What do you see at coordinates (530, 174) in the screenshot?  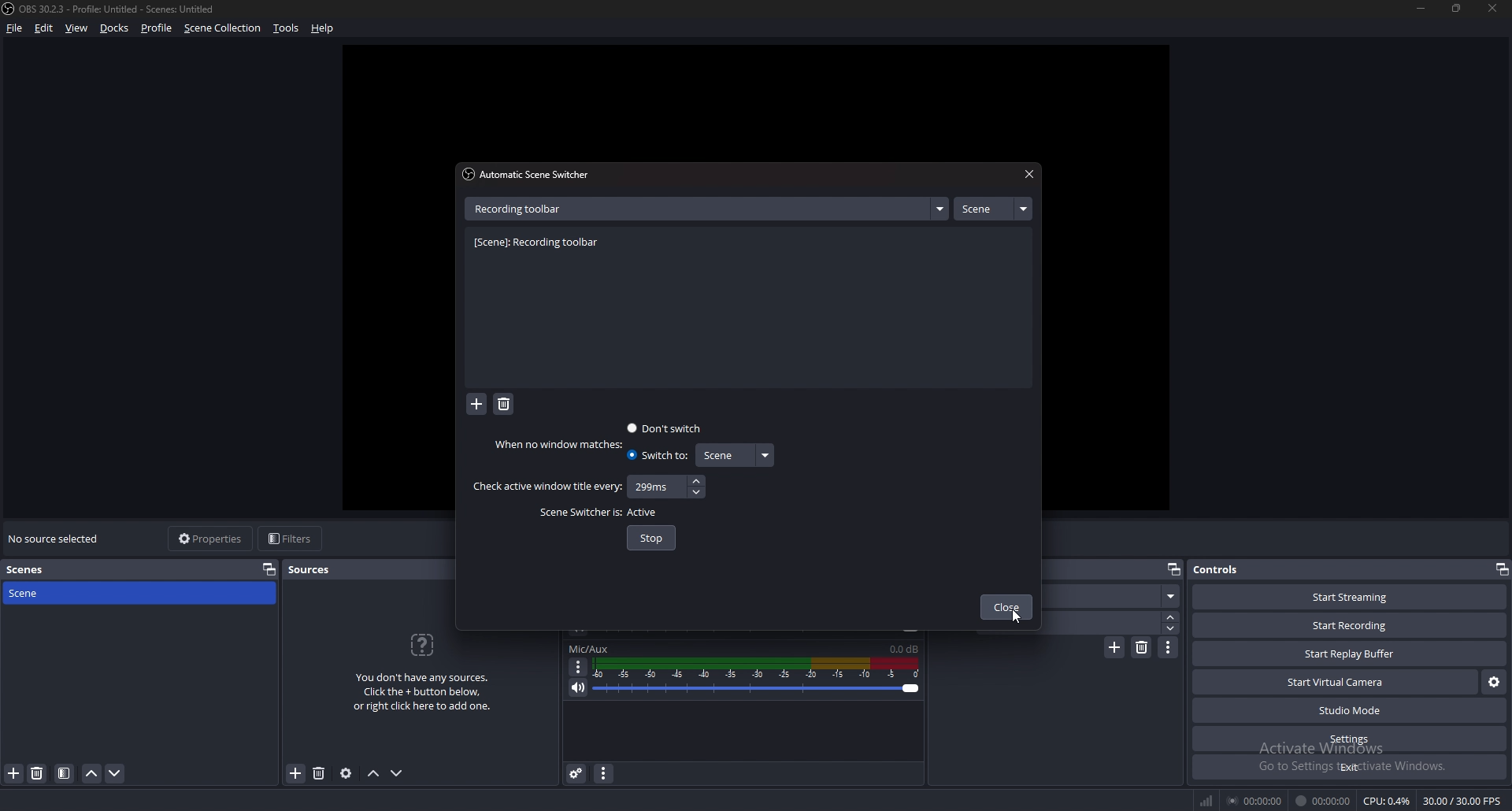 I see `automatic scene switcher` at bounding box center [530, 174].